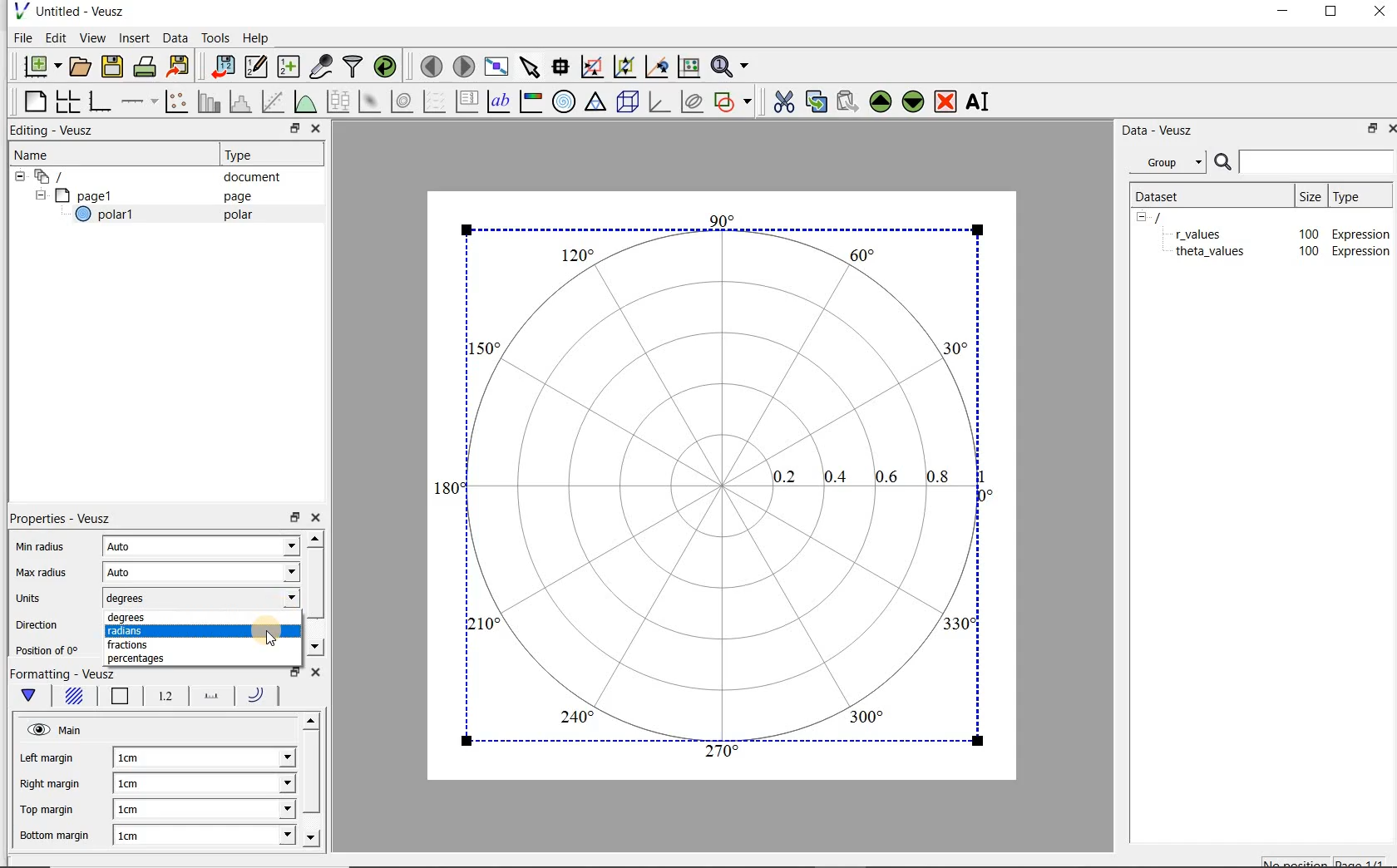  What do you see at coordinates (141, 810) in the screenshot?
I see `1cm` at bounding box center [141, 810].